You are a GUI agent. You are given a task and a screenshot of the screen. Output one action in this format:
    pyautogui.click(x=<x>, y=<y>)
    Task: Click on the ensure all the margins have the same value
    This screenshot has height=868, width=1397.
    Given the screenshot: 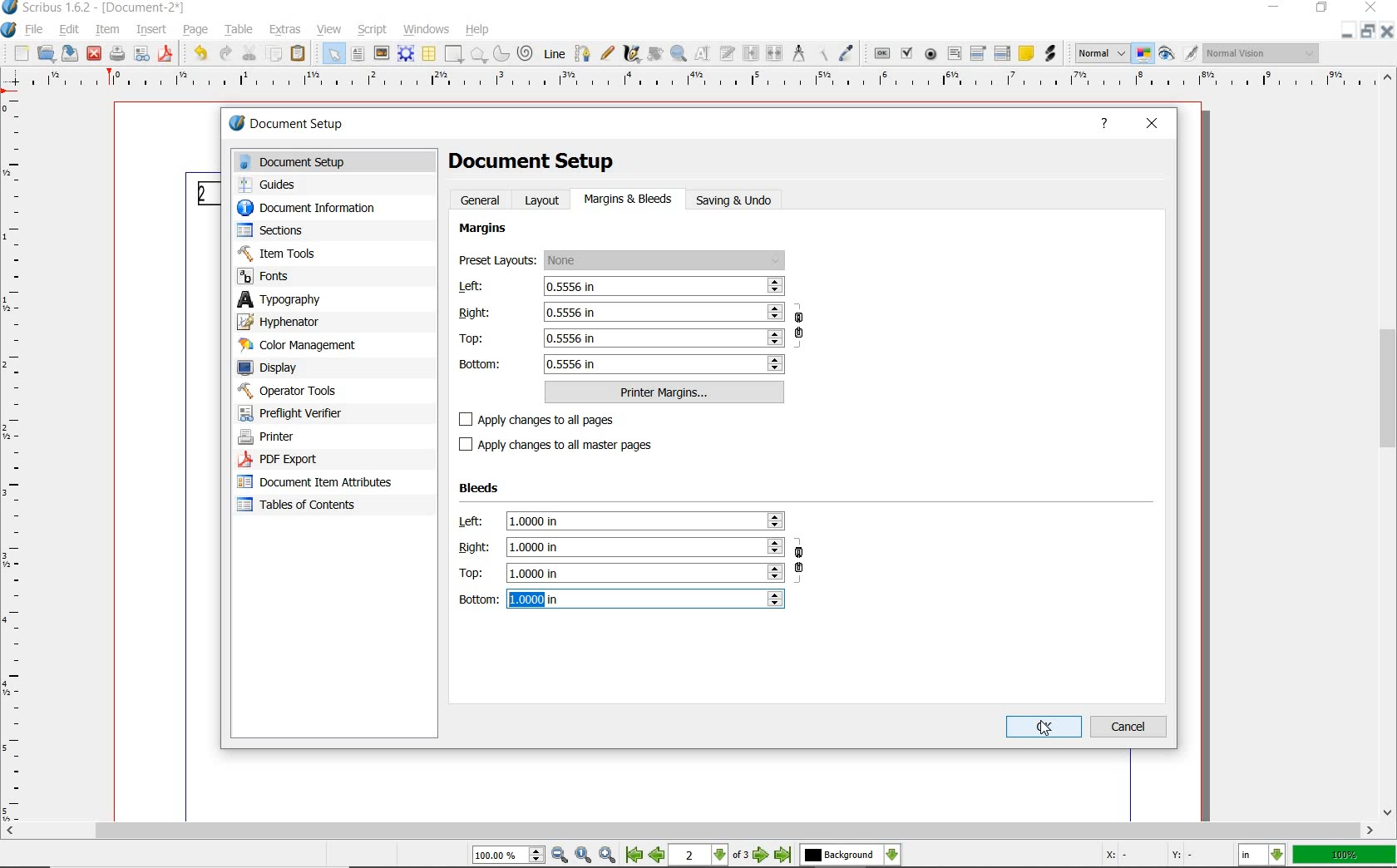 What is the action you would take?
    pyautogui.click(x=800, y=328)
    